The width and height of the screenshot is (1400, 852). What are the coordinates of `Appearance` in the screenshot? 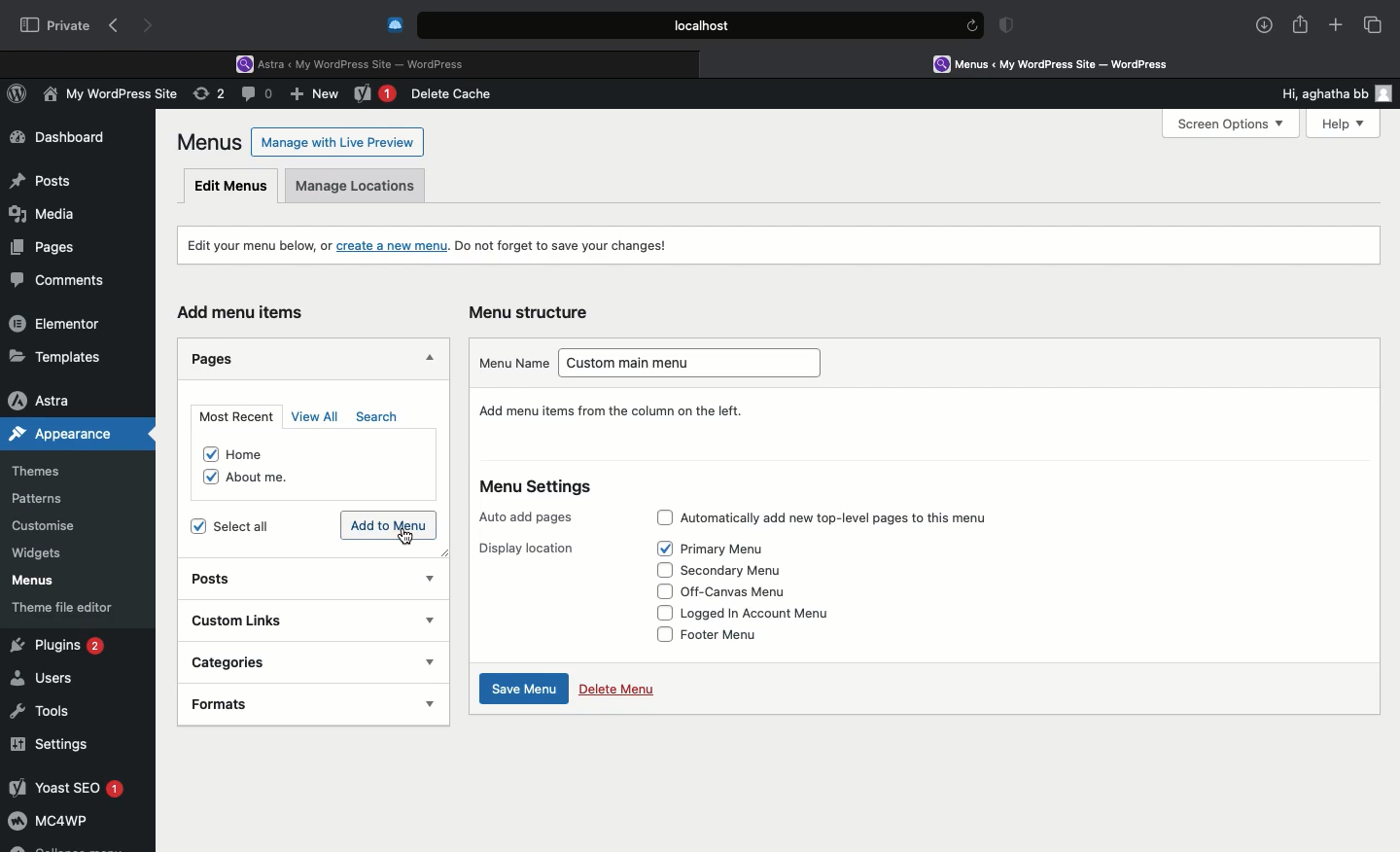 It's located at (79, 434).